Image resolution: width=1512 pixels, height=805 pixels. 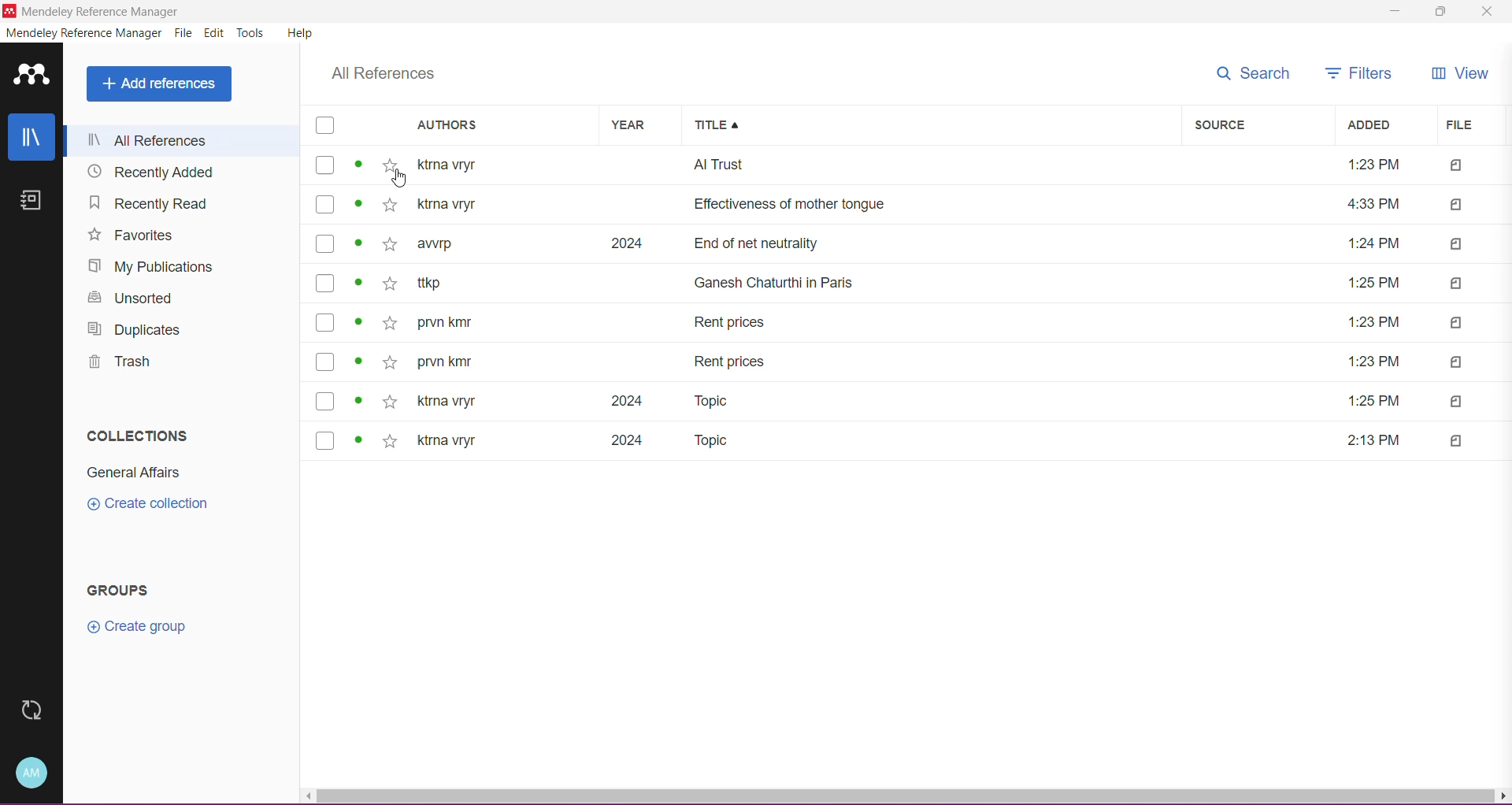 What do you see at coordinates (215, 34) in the screenshot?
I see `Edit` at bounding box center [215, 34].